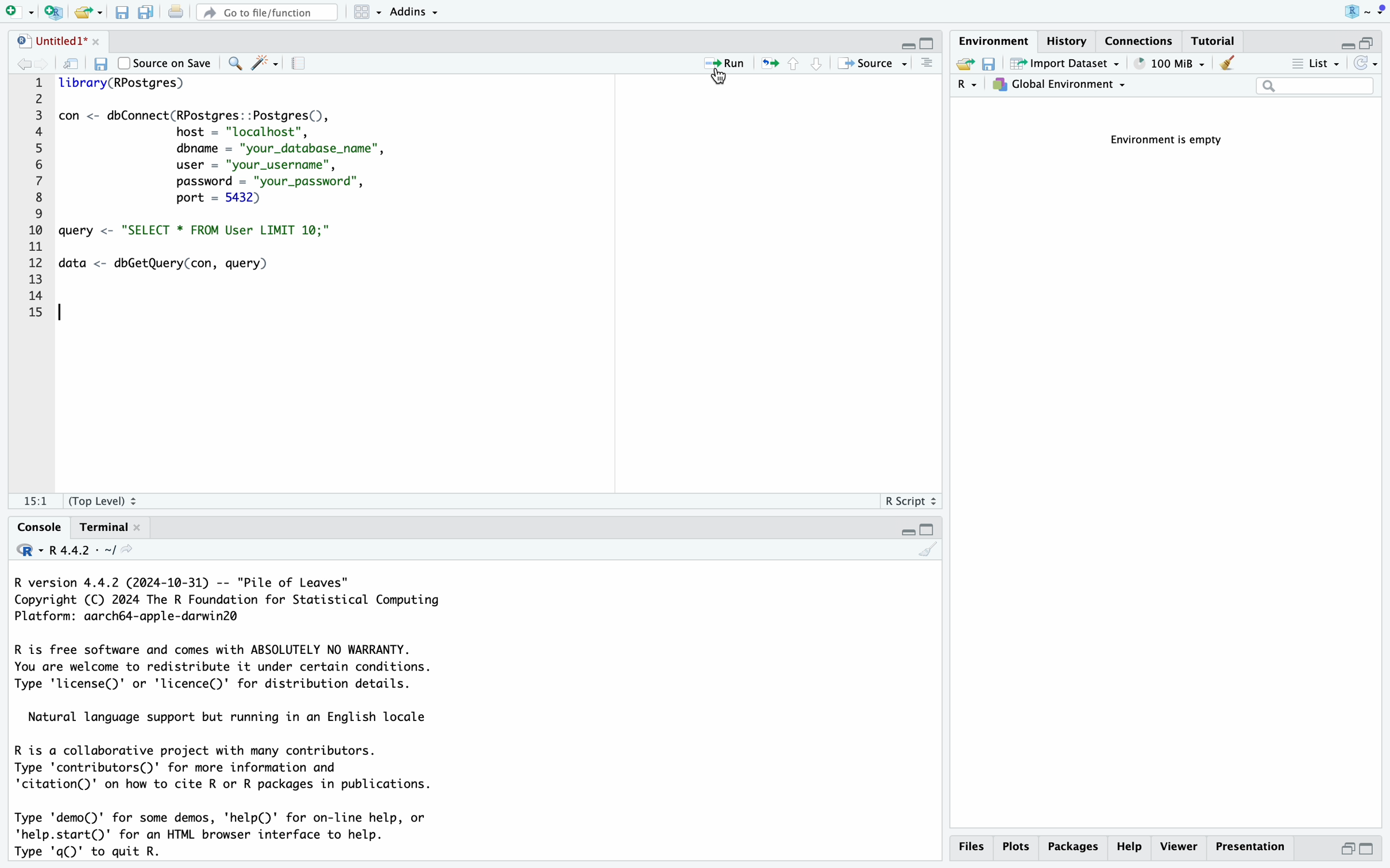  Describe the element at coordinates (1065, 64) in the screenshot. I see `import dataset` at that location.